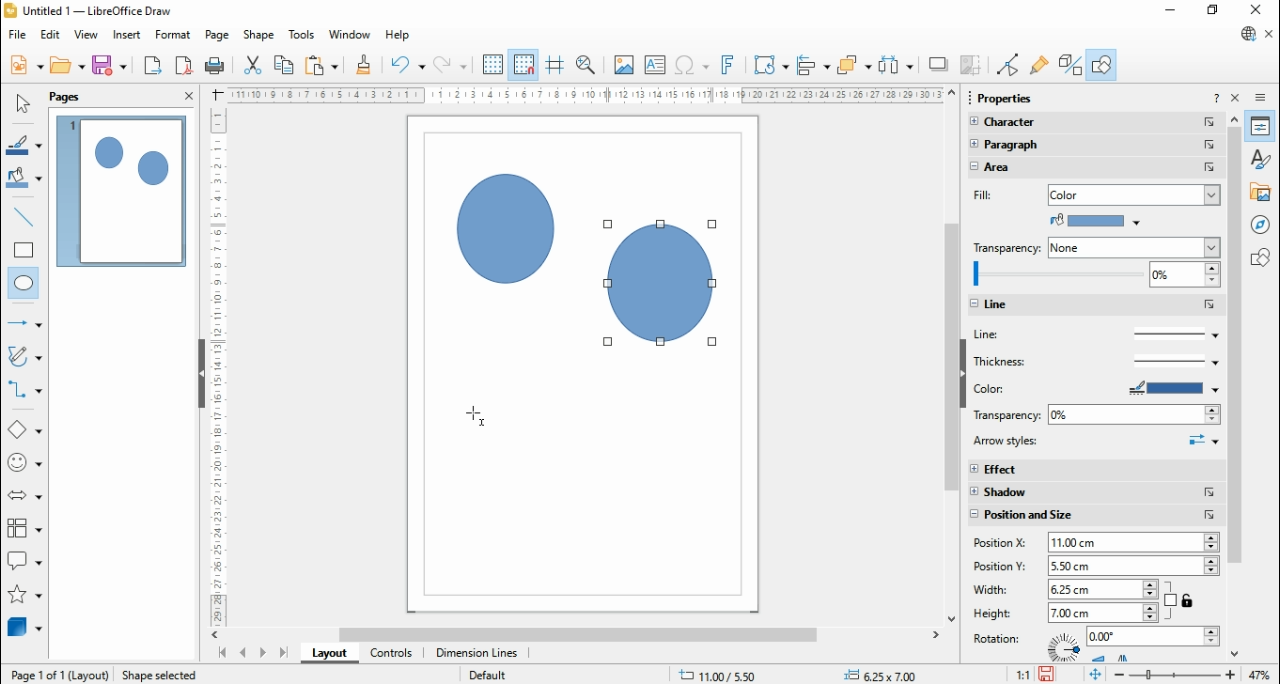 The height and width of the screenshot is (684, 1280). Describe the element at coordinates (25, 323) in the screenshot. I see `line and arrows` at that location.